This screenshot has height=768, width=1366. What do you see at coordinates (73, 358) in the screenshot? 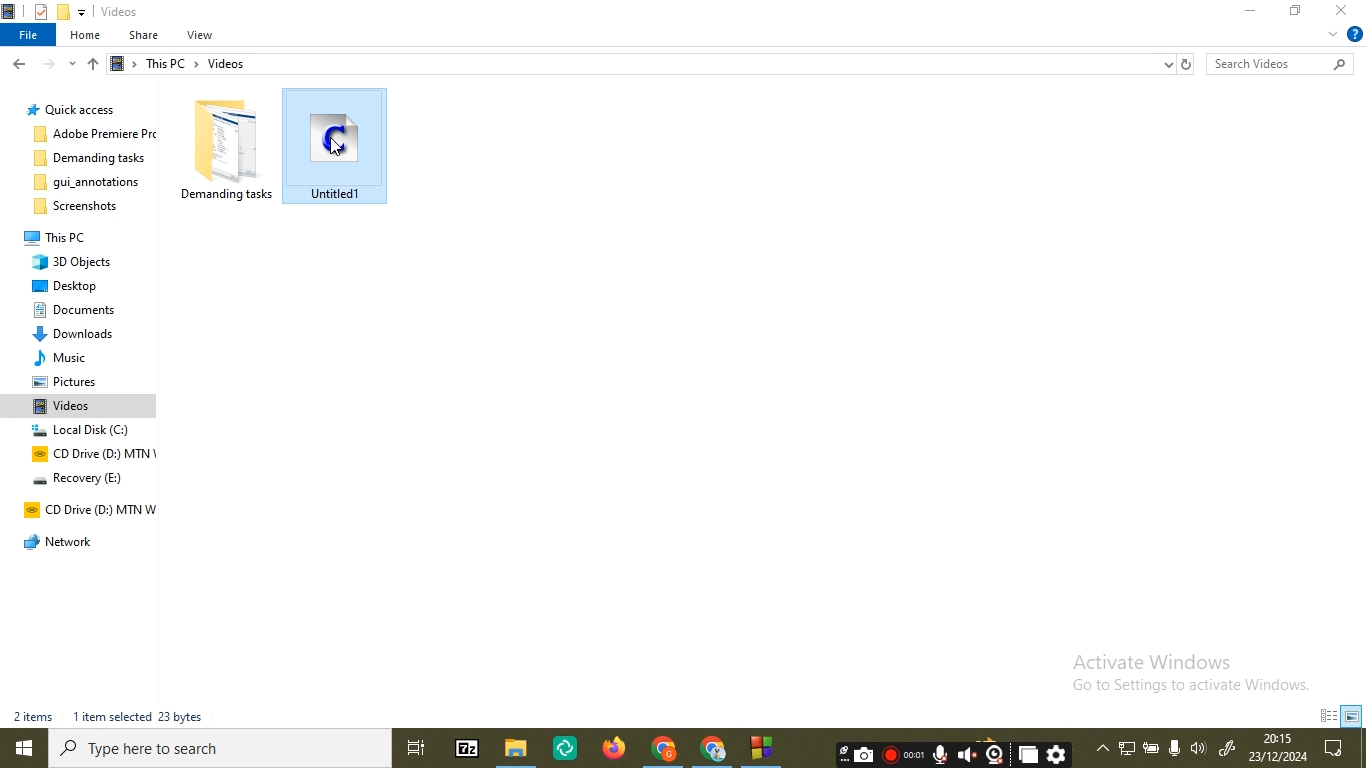
I see `folder` at bounding box center [73, 358].